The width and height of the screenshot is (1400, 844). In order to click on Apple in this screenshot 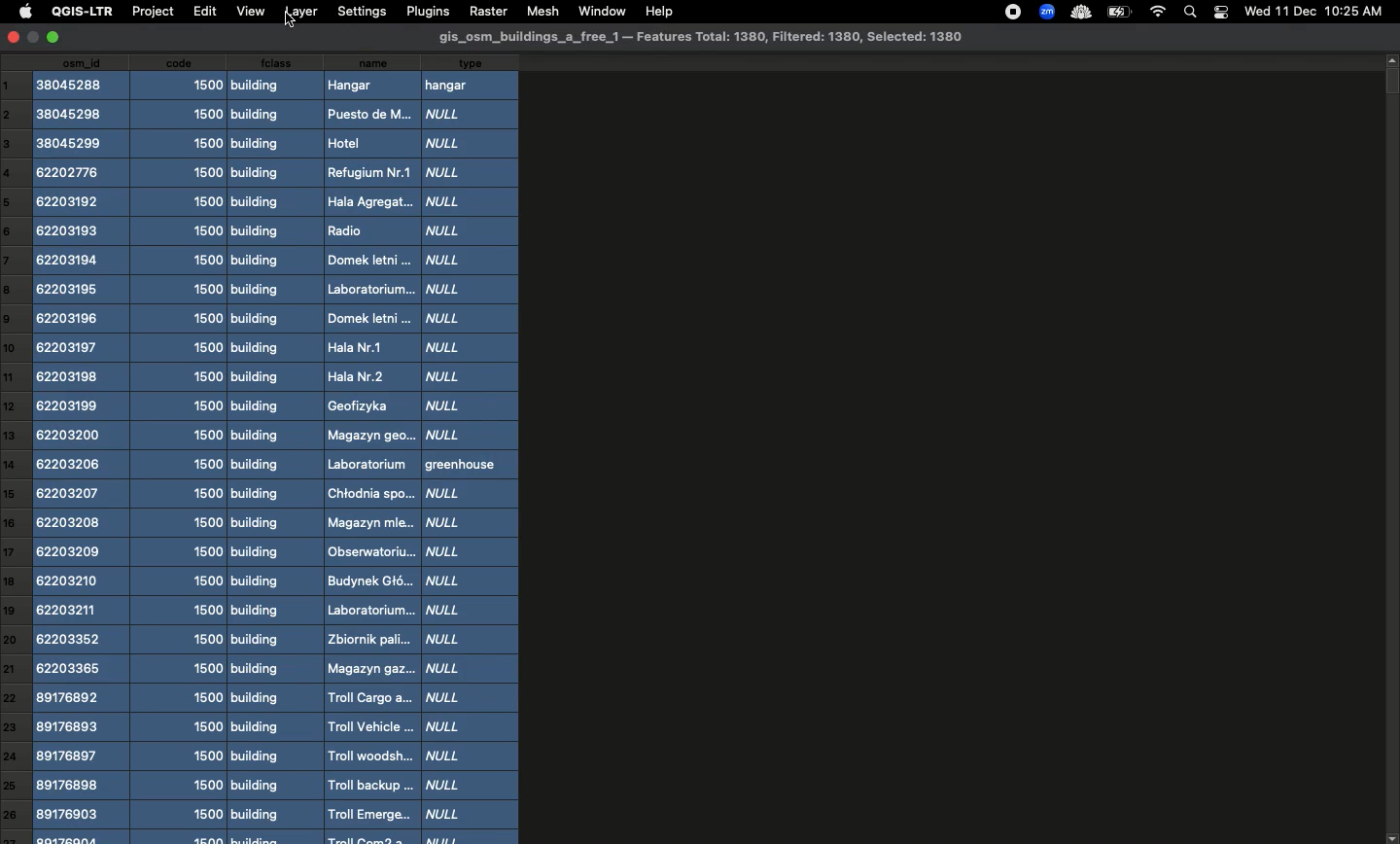, I will do `click(22, 13)`.